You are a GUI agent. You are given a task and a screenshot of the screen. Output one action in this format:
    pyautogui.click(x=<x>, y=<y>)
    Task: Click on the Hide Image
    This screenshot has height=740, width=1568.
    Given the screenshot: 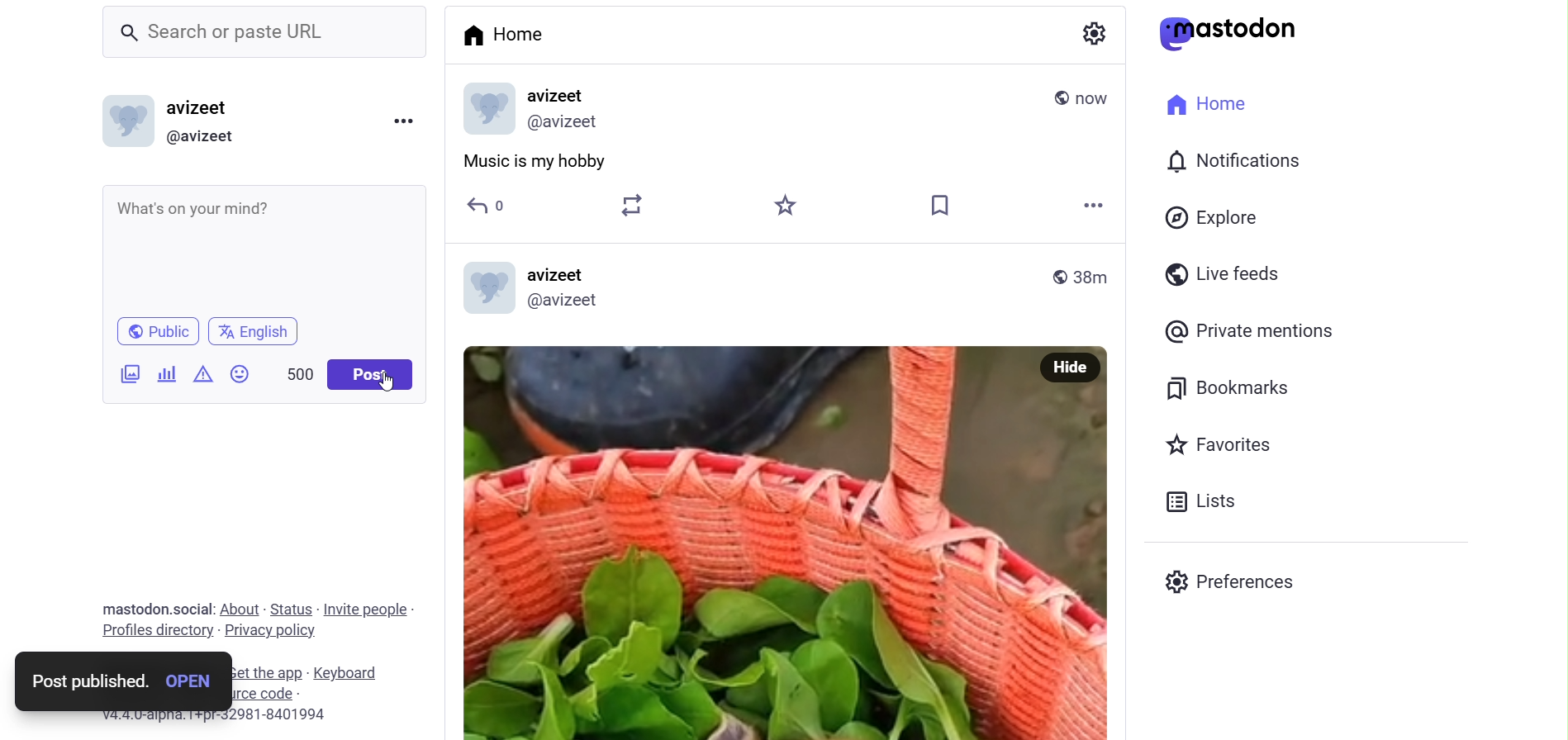 What is the action you would take?
    pyautogui.click(x=1070, y=371)
    